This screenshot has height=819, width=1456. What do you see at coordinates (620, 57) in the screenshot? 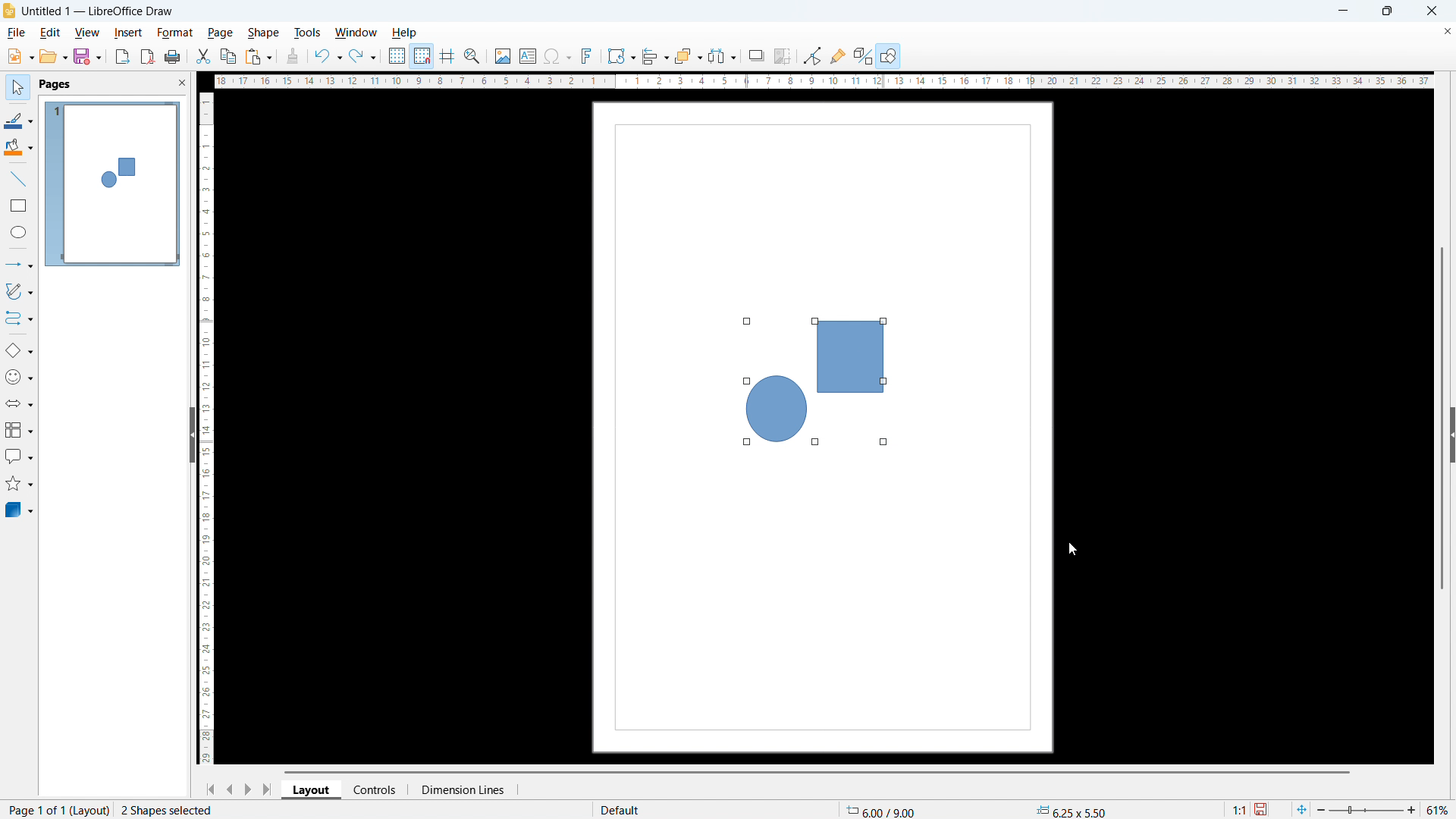
I see `transformation` at bounding box center [620, 57].